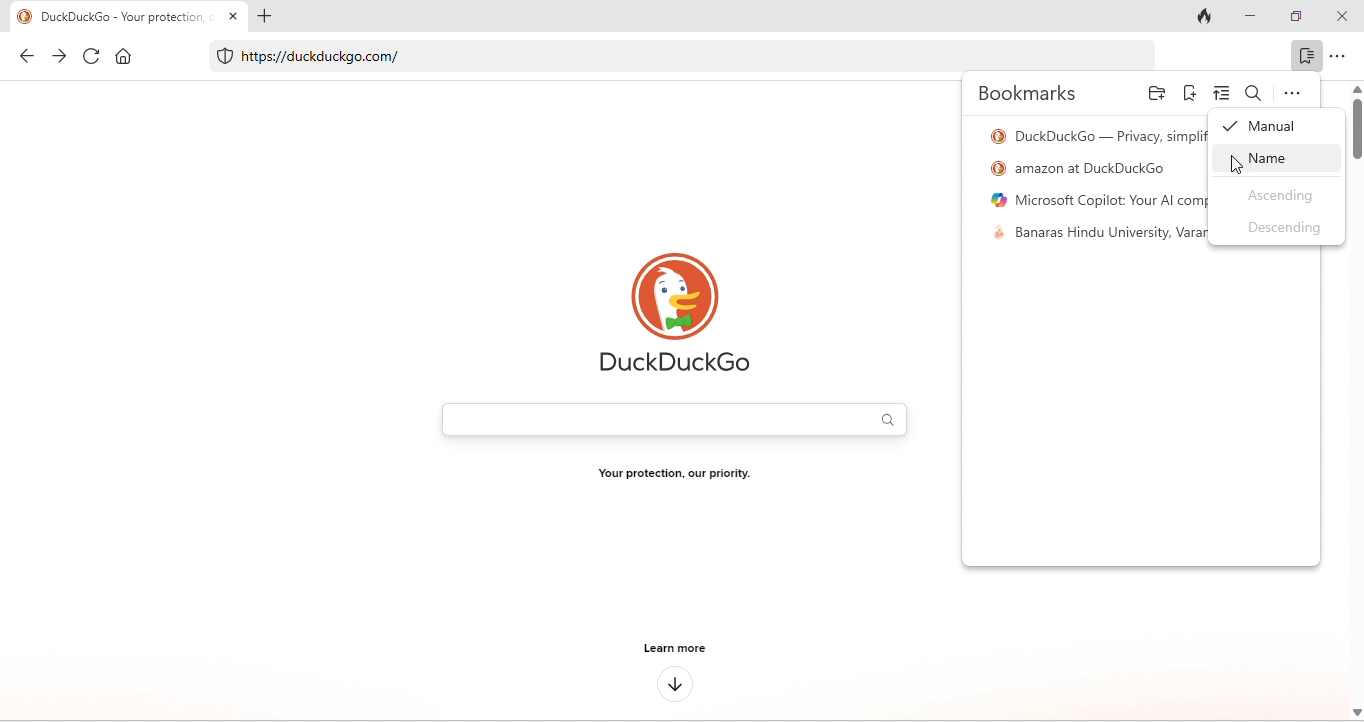  Describe the element at coordinates (1095, 198) in the screenshot. I see `microsoft copilot your ai companion` at that location.